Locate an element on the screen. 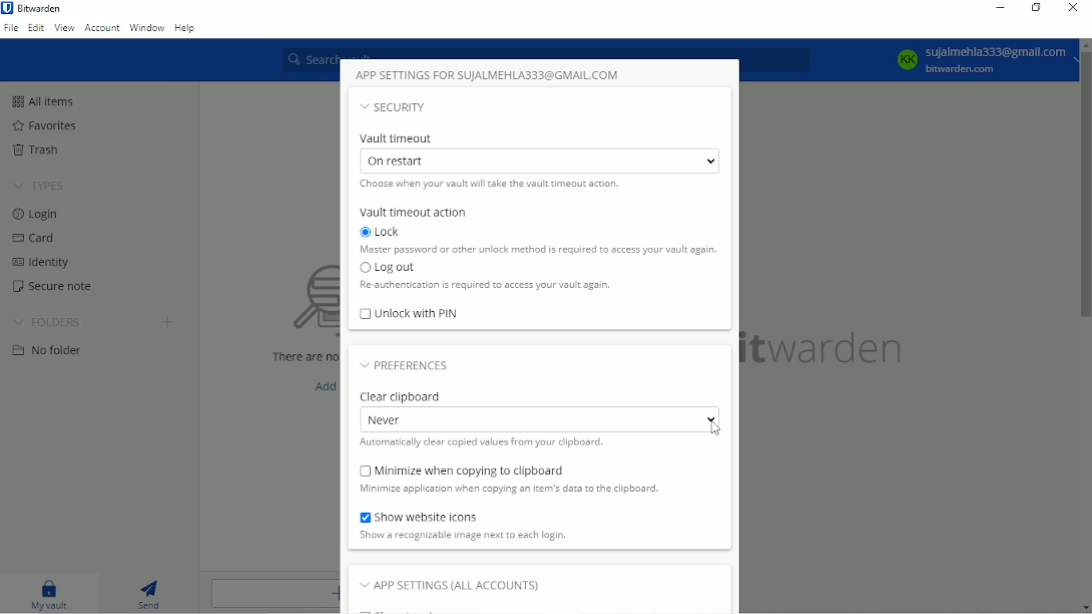 The image size is (1092, 614). Trash is located at coordinates (37, 148).